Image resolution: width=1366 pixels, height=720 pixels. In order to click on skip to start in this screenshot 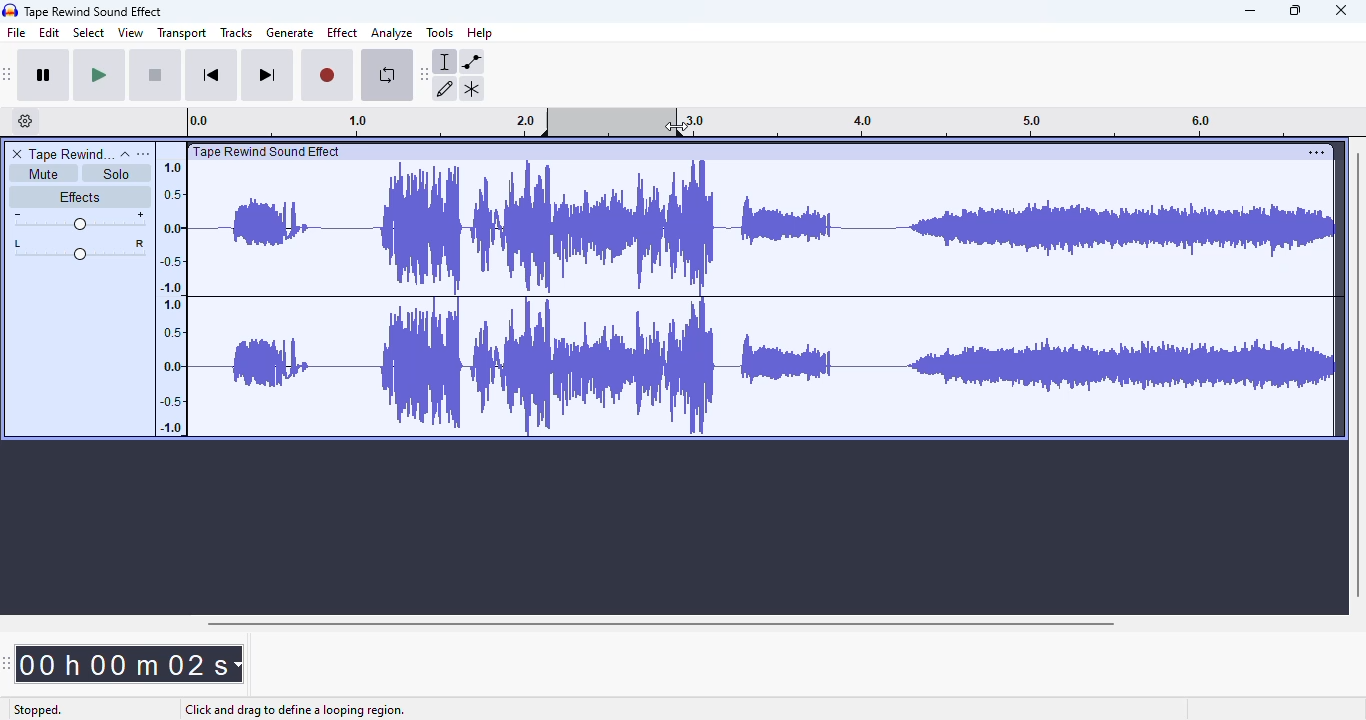, I will do `click(212, 75)`.